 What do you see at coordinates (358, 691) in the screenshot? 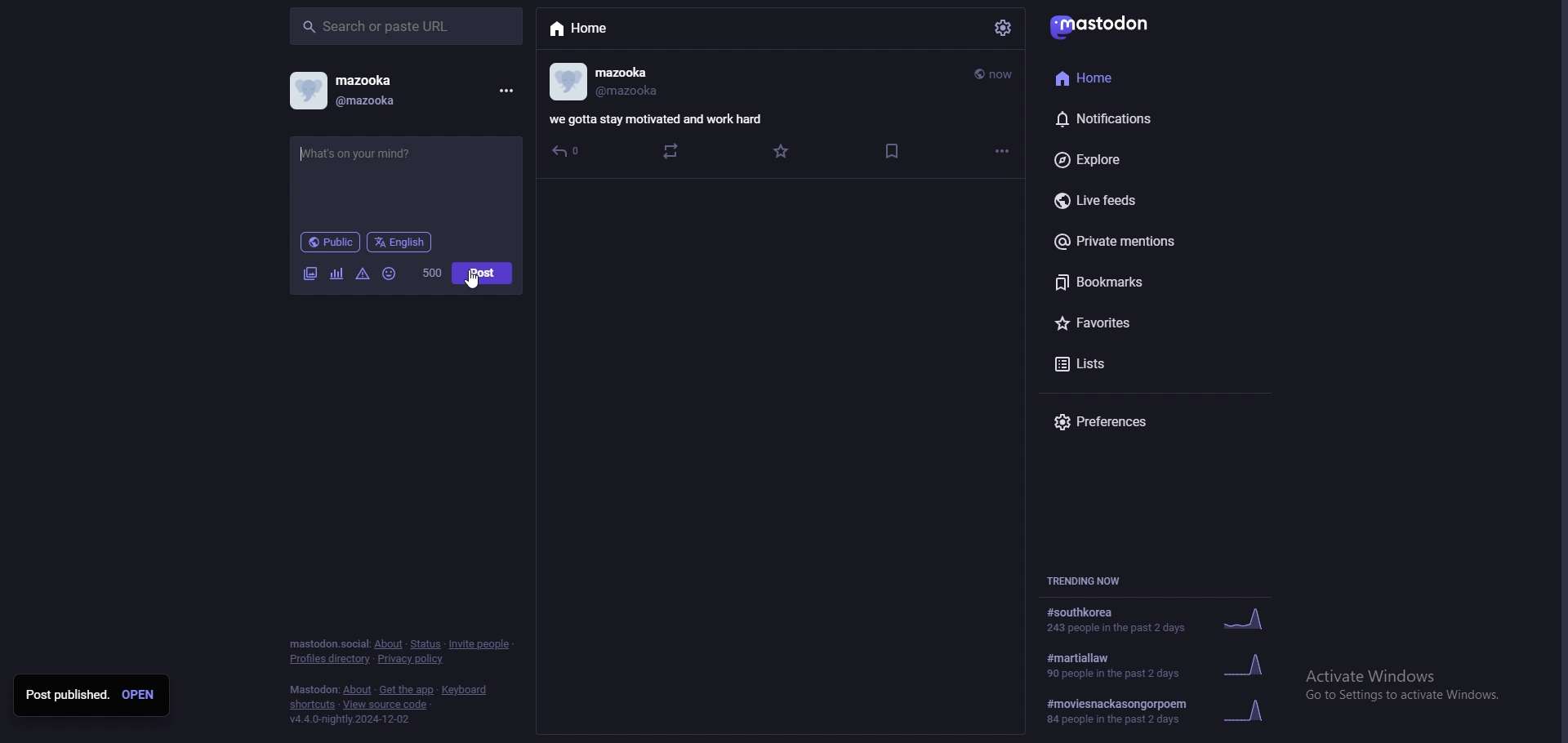
I see `about` at bounding box center [358, 691].